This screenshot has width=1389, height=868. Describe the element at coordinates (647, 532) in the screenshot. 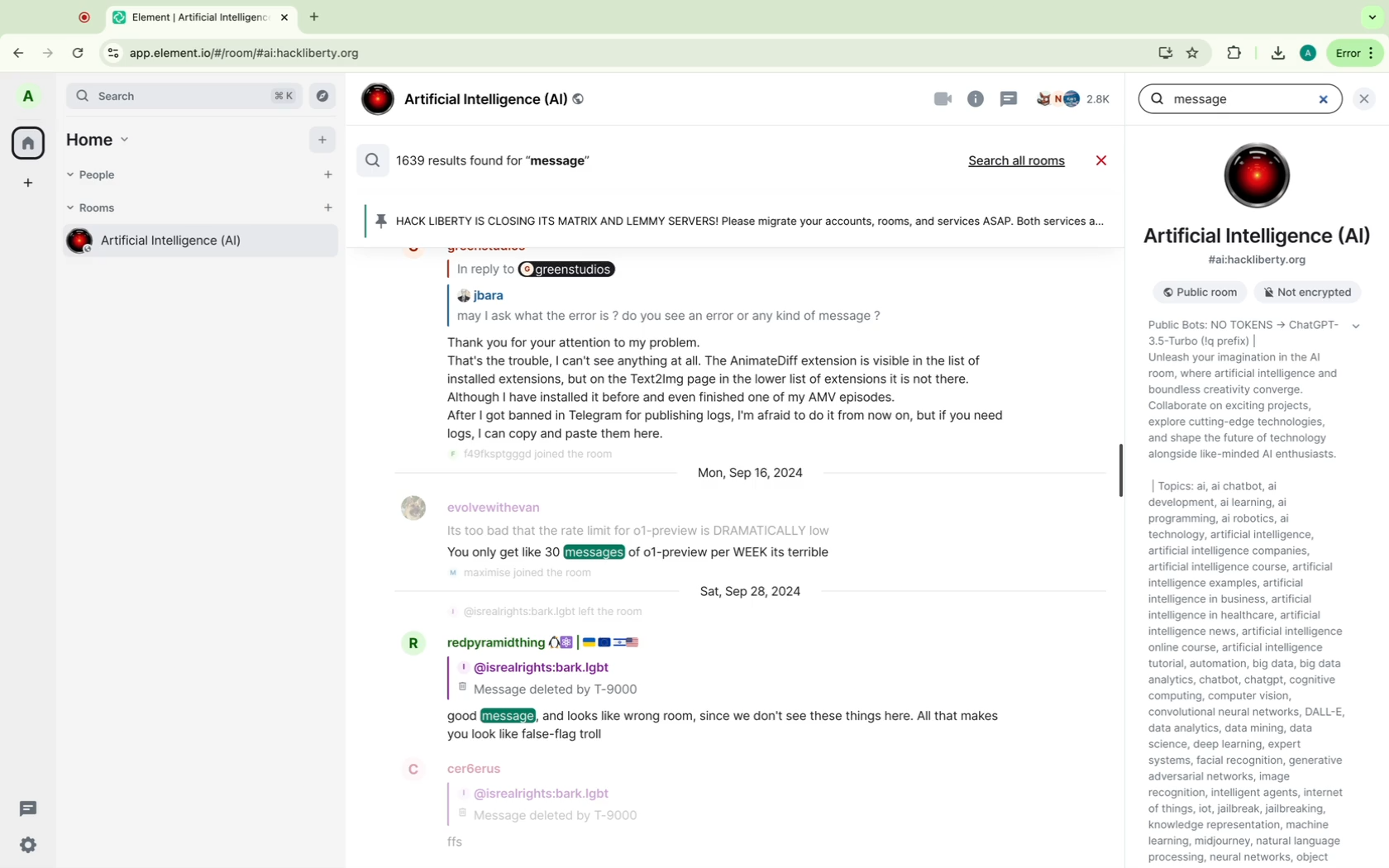

I see `message` at that location.